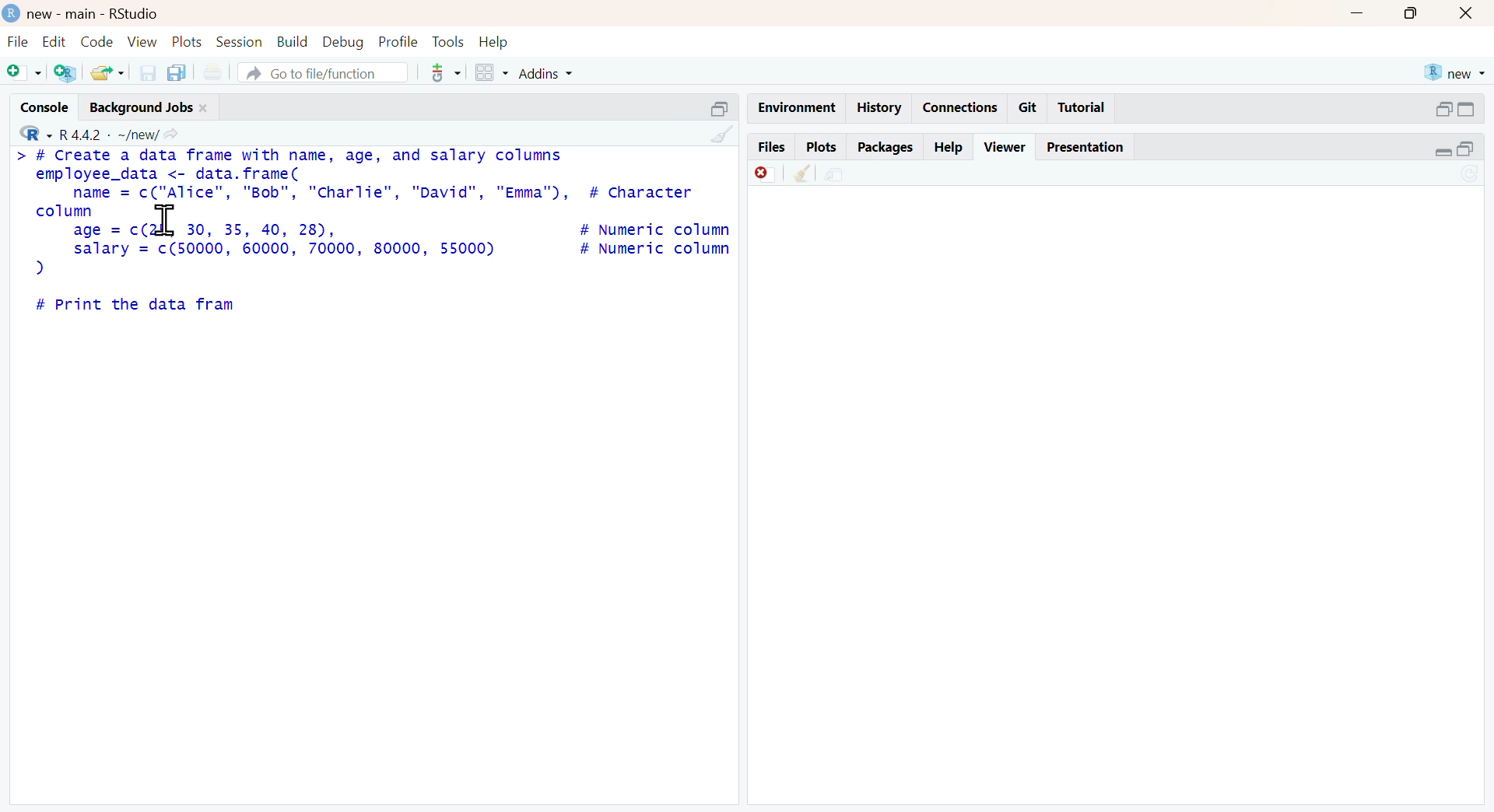  Describe the element at coordinates (65, 74) in the screenshot. I see `Create new Project` at that location.